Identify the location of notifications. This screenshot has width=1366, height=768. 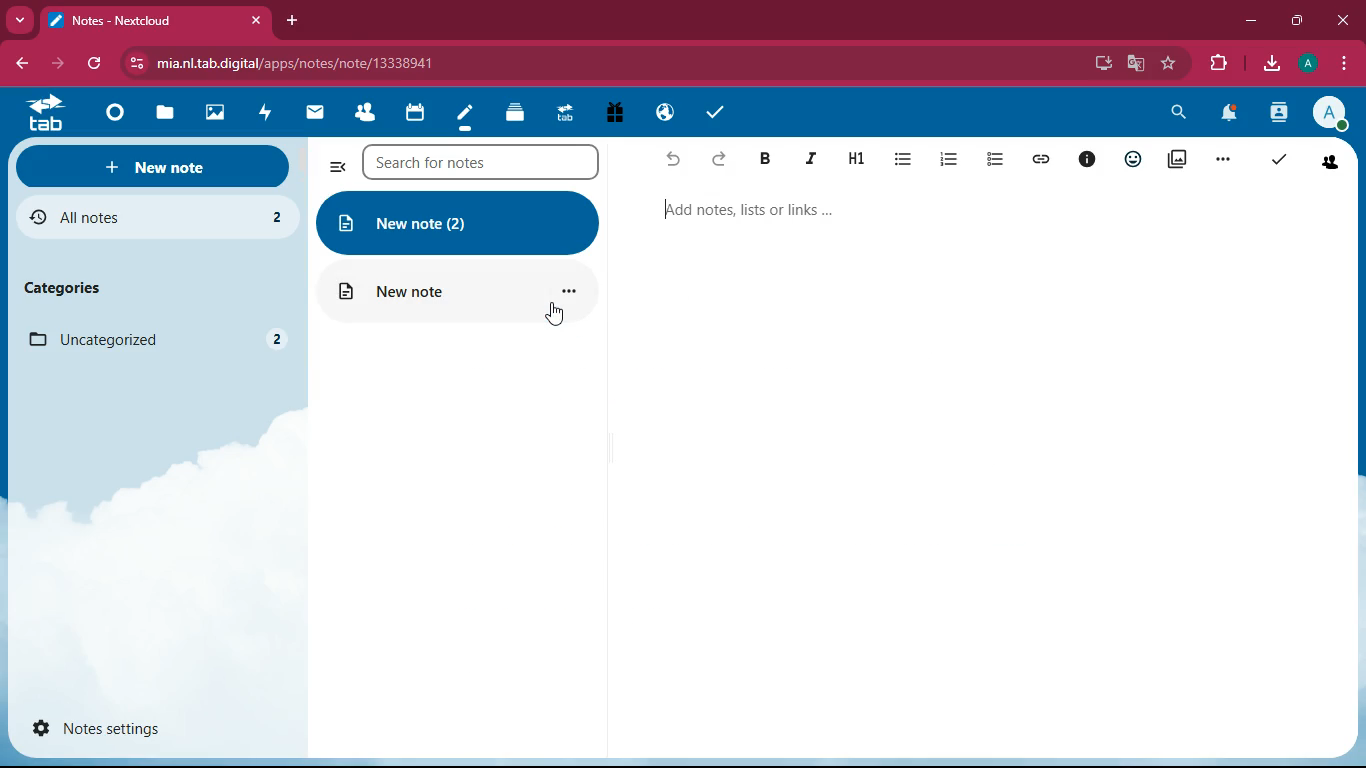
(1228, 115).